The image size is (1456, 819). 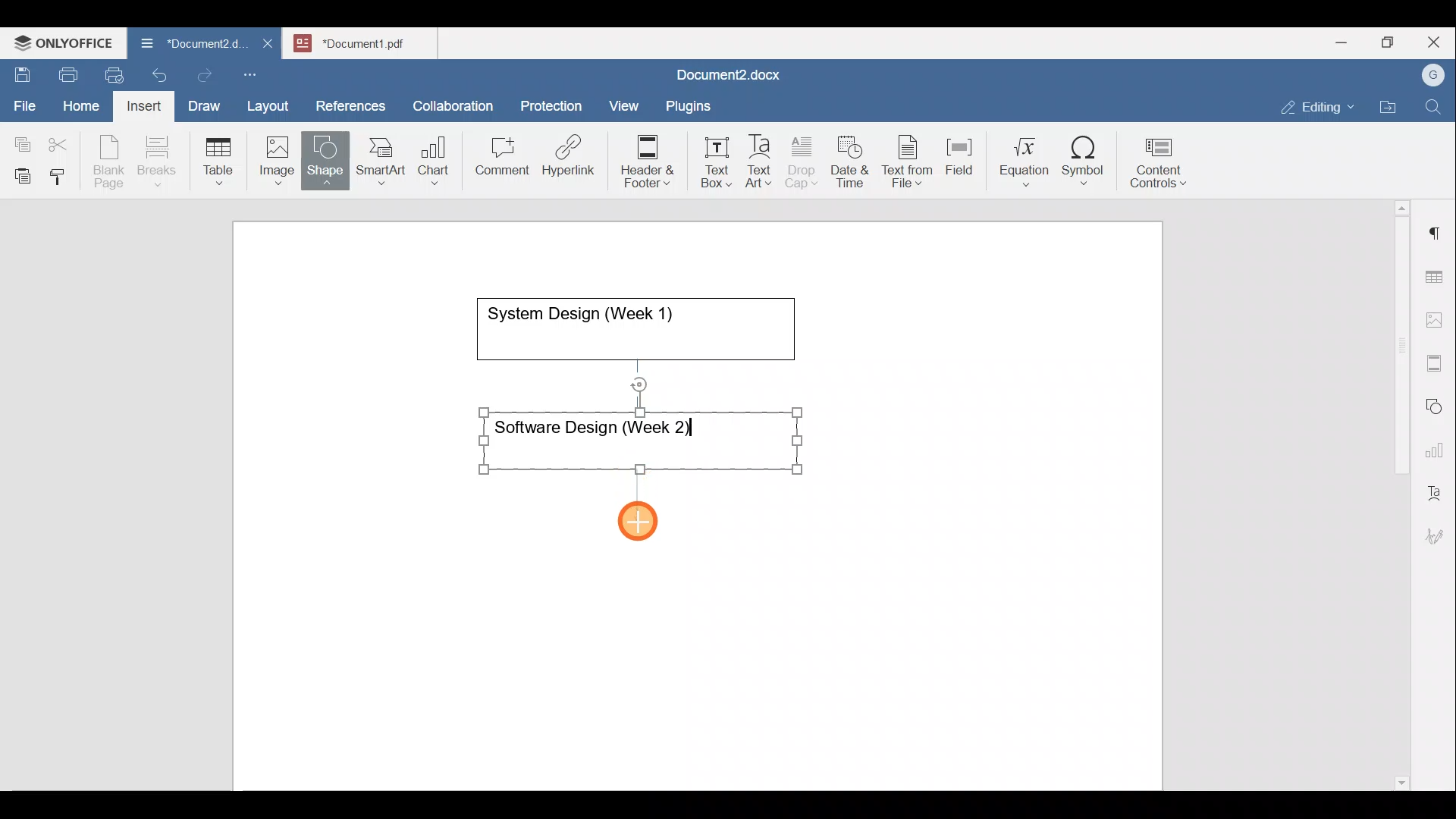 What do you see at coordinates (642, 160) in the screenshot?
I see `Header & footer` at bounding box center [642, 160].